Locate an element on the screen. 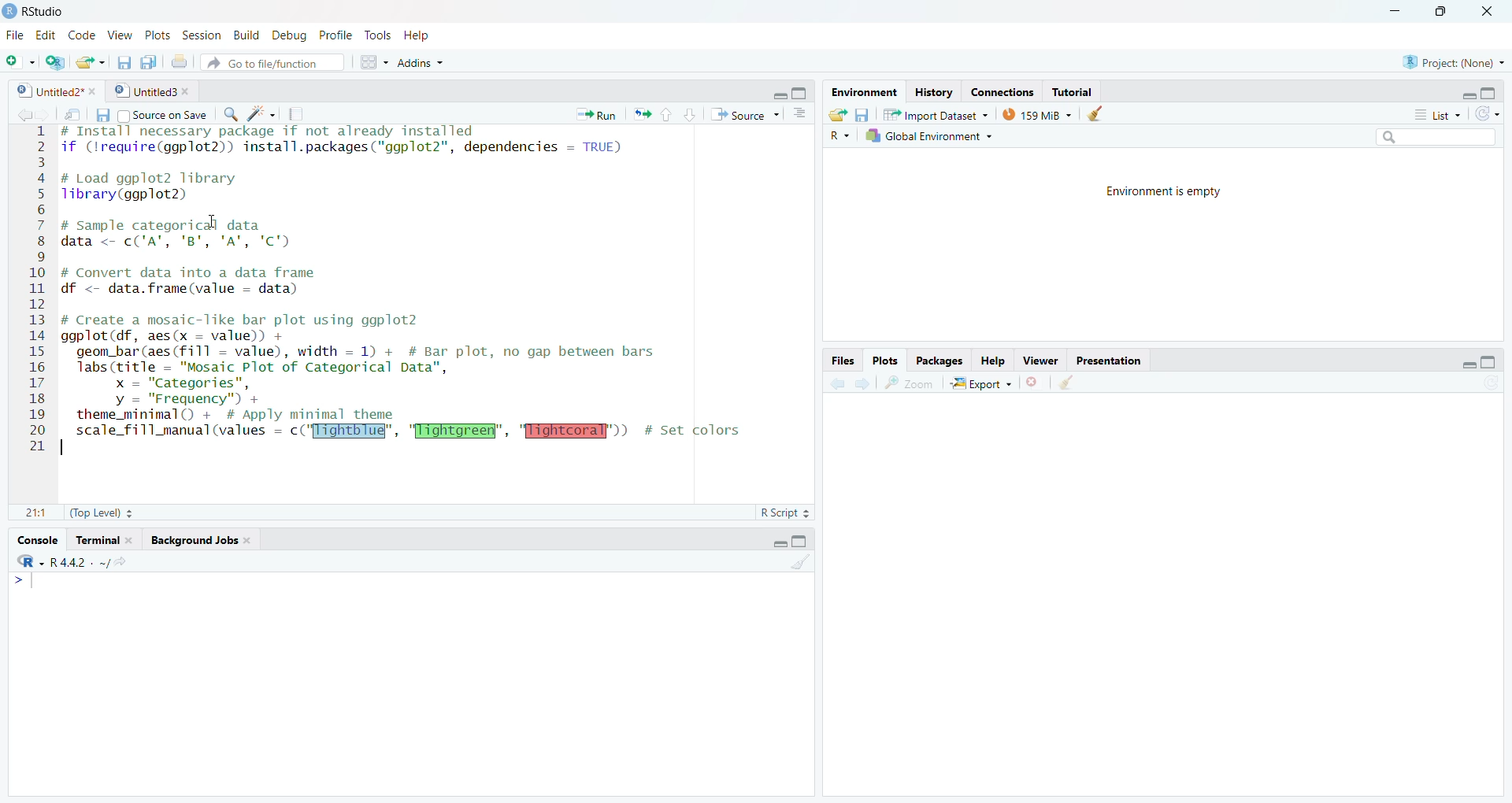 The image size is (1512, 803). Save is located at coordinates (121, 64).